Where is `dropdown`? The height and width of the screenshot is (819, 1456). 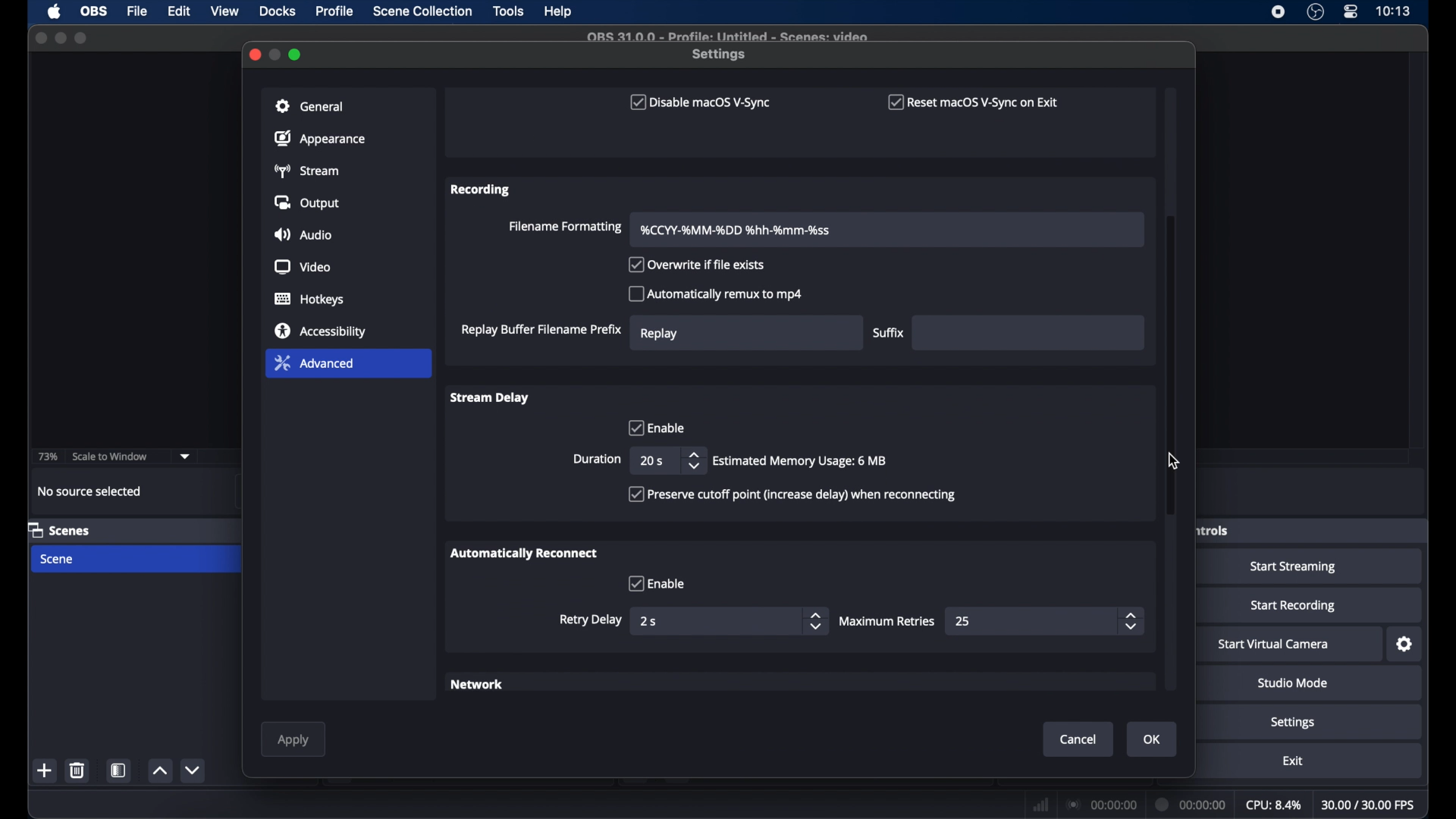 dropdown is located at coordinates (185, 457).